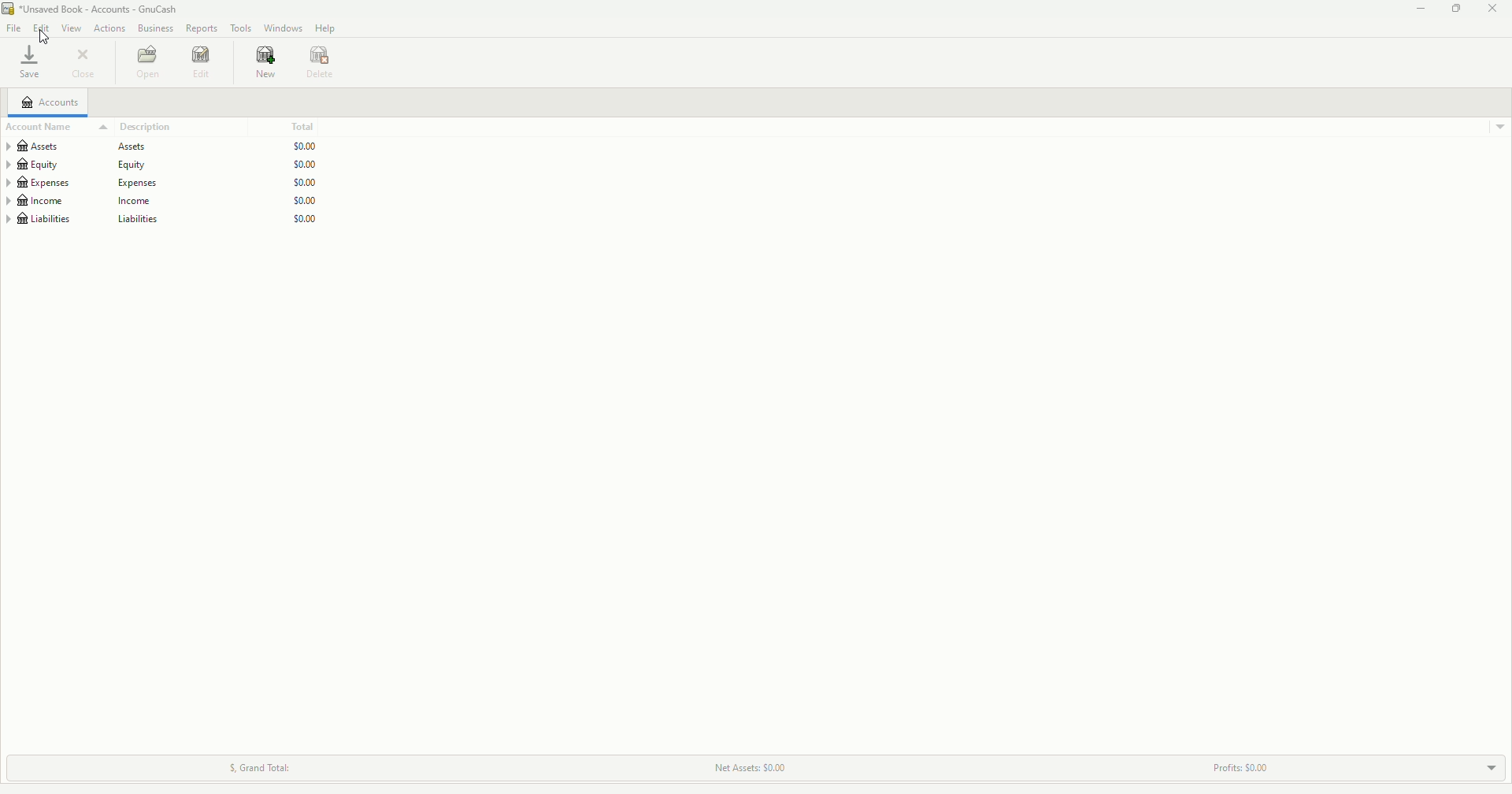 The height and width of the screenshot is (794, 1512). I want to click on logo, so click(9, 9).